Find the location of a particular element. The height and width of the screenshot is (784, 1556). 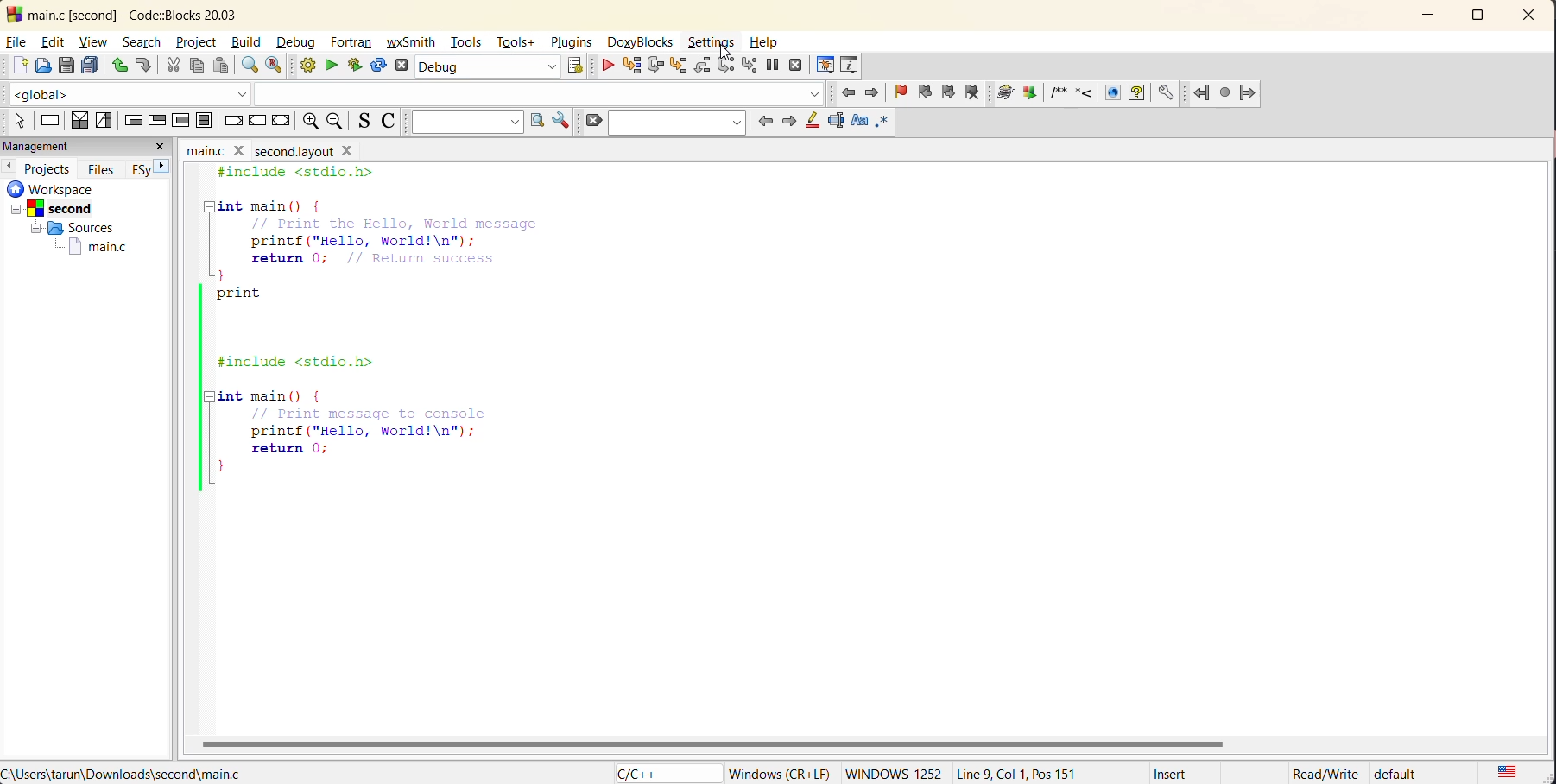

close is located at coordinates (161, 146).